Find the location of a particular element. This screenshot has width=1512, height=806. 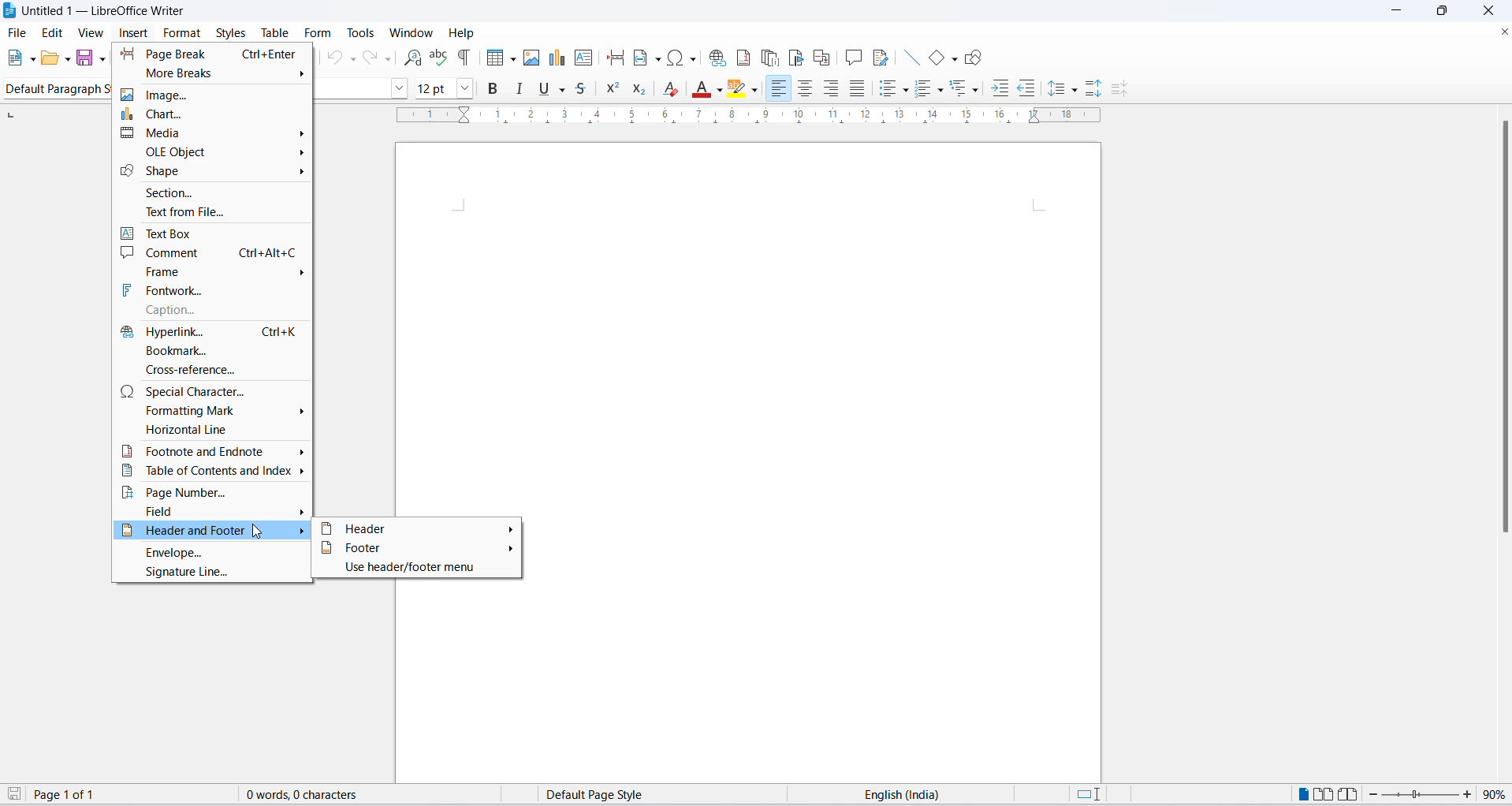

spellings is located at coordinates (440, 58).